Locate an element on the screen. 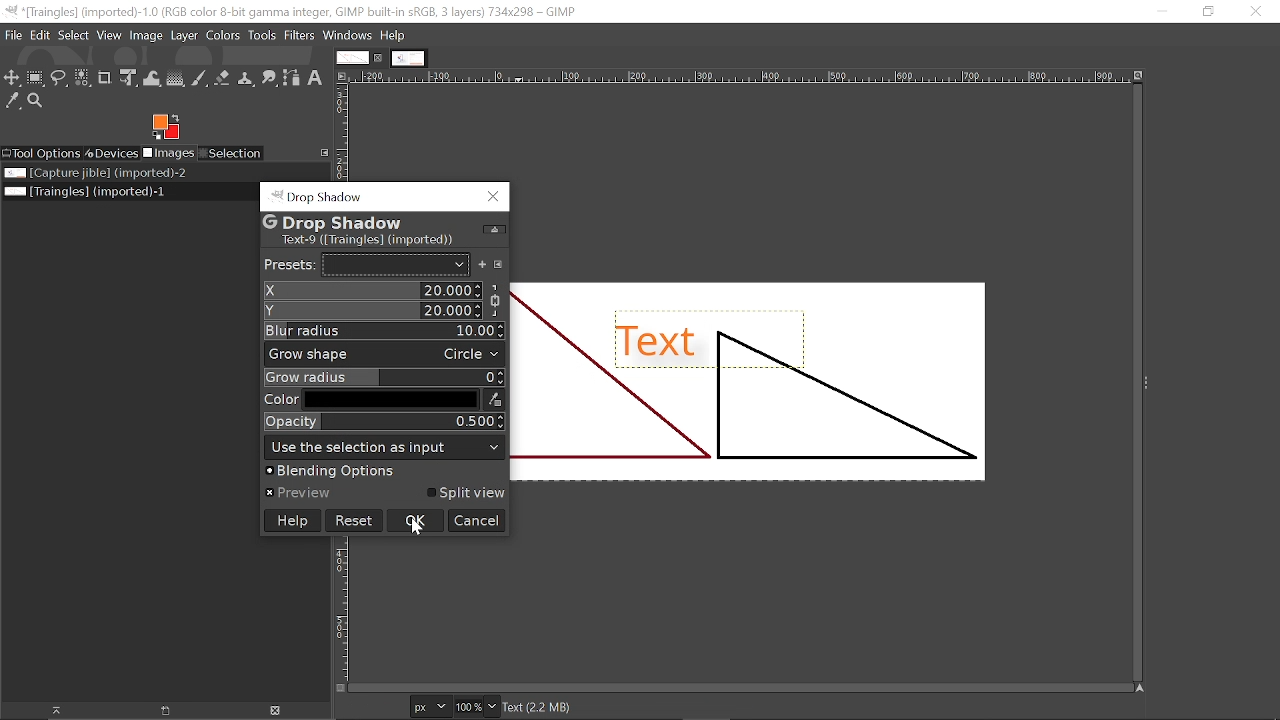 This screenshot has height=720, width=1280. Open new display for this image is located at coordinates (165, 711).